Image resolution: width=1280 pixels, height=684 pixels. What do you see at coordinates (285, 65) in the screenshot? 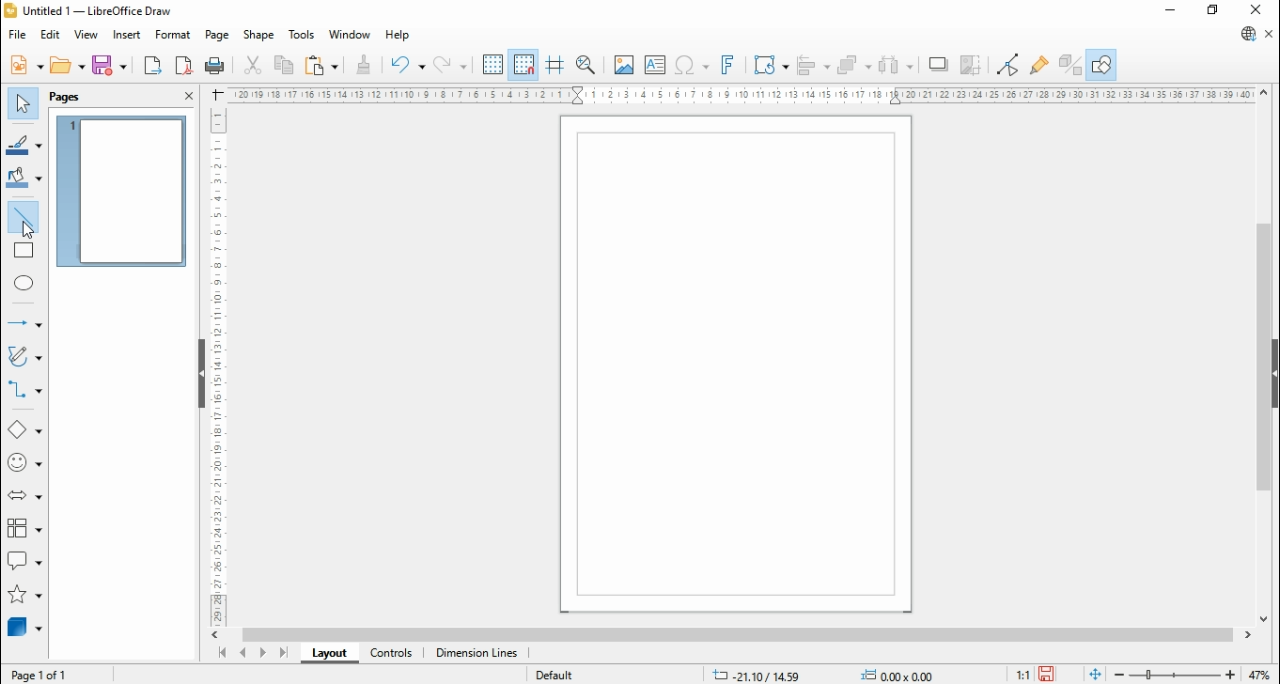
I see `copy` at bounding box center [285, 65].